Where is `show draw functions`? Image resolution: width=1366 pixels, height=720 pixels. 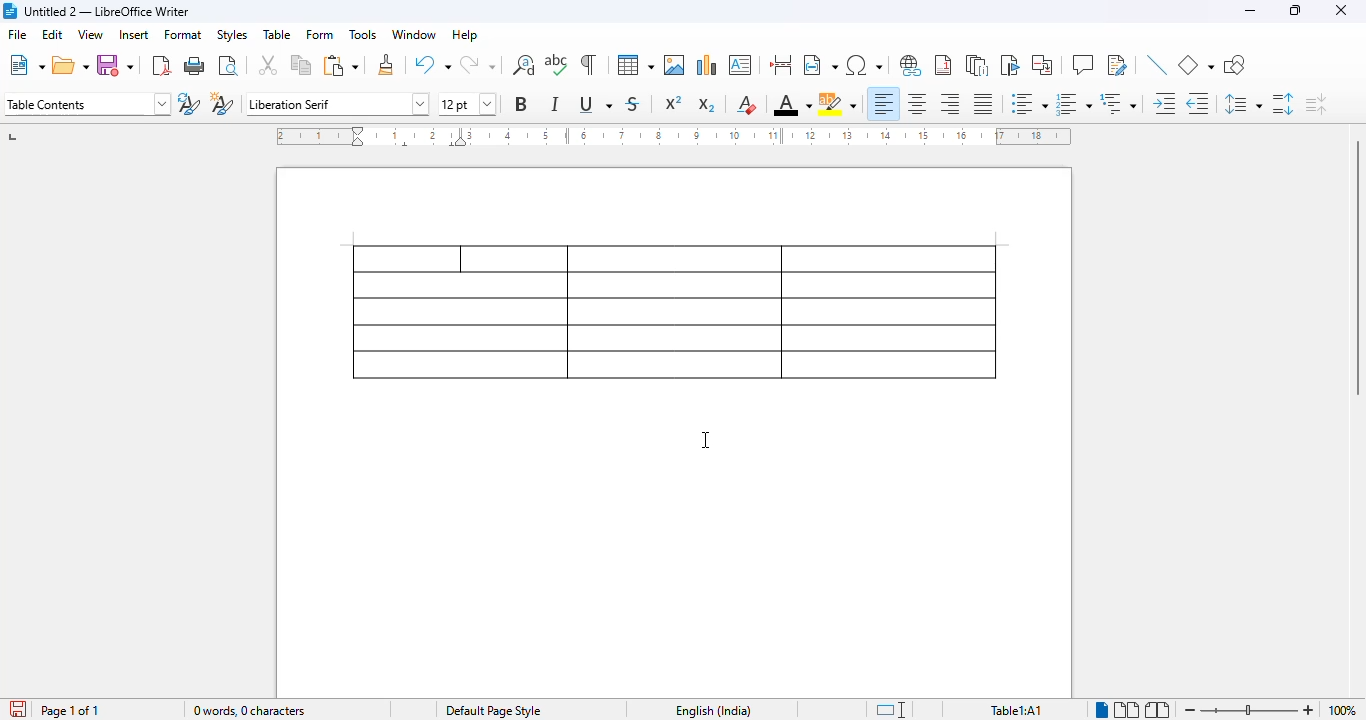
show draw functions is located at coordinates (1235, 65).